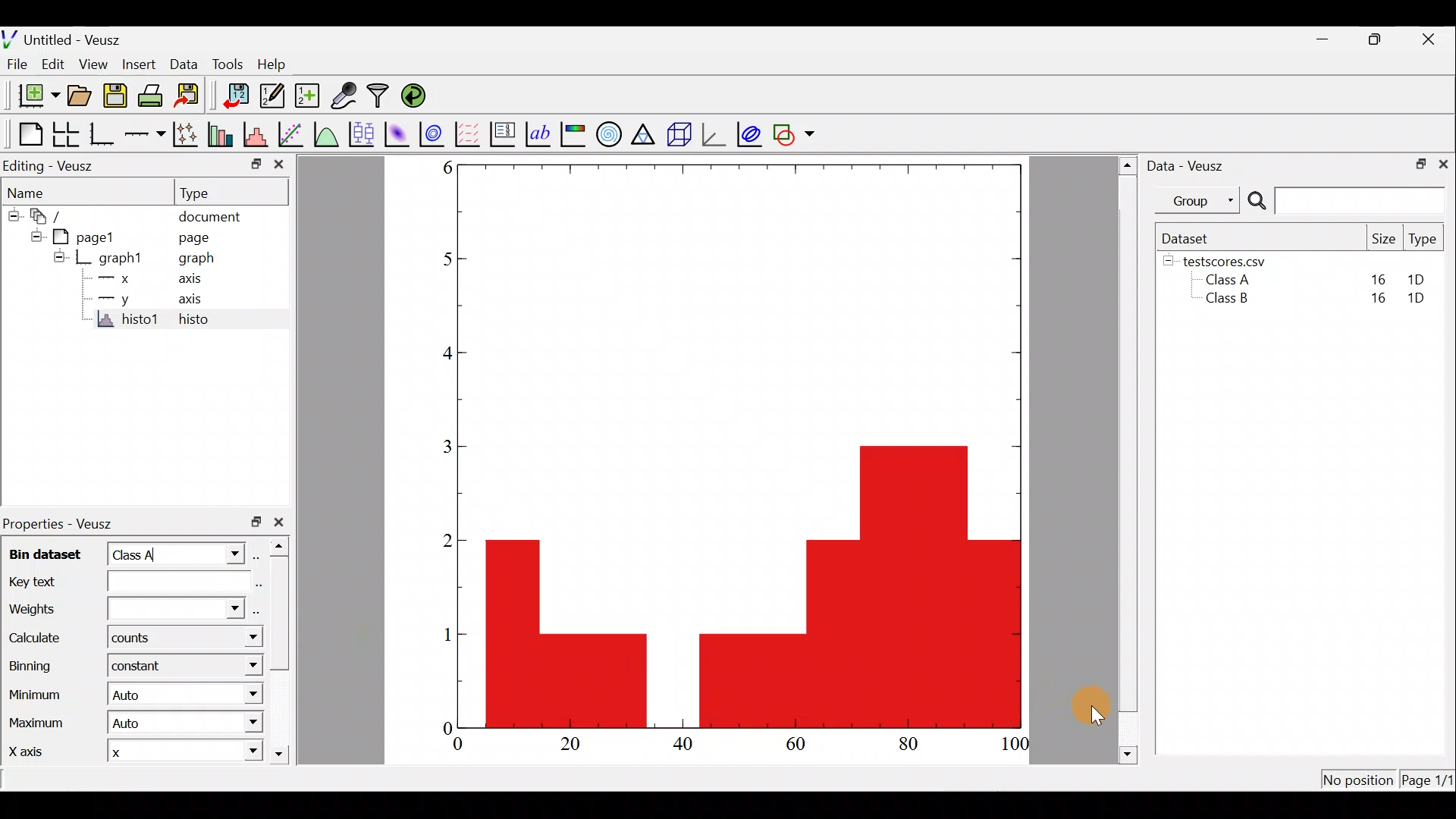 The image size is (1456, 819). What do you see at coordinates (1125, 460) in the screenshot?
I see `scroll bar` at bounding box center [1125, 460].